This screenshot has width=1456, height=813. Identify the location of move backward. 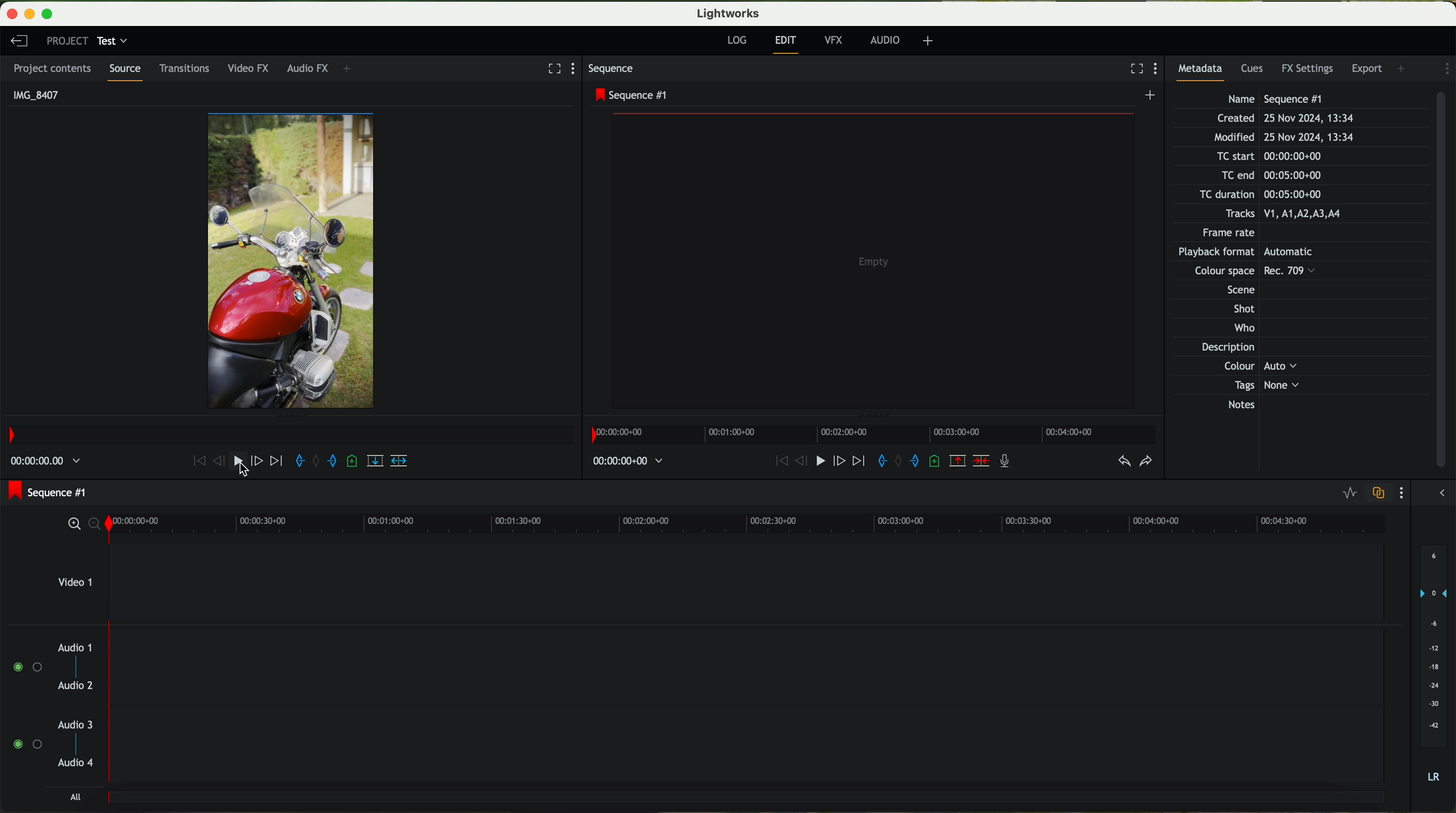
(774, 461).